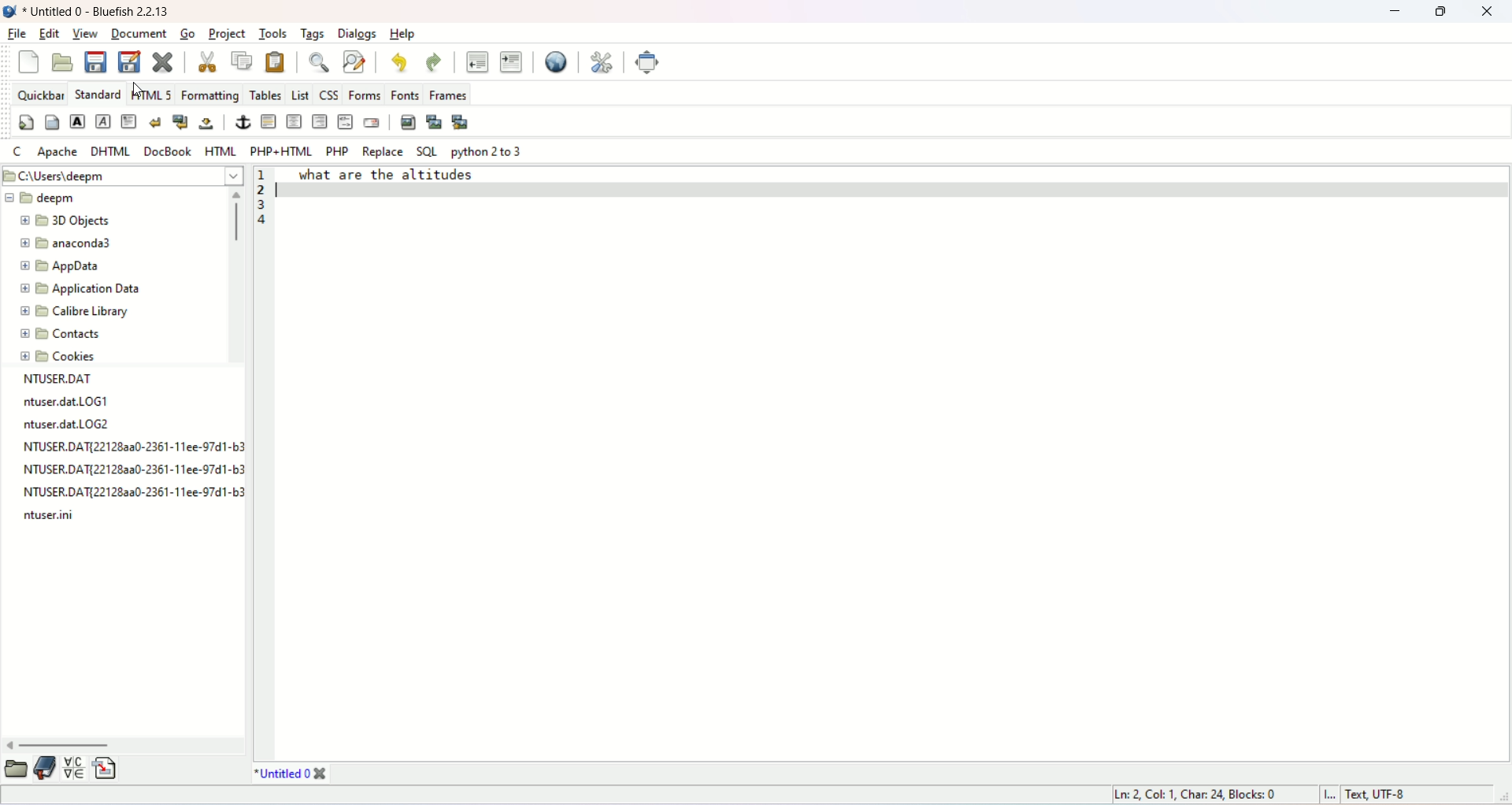 This screenshot has height=805, width=1512. I want to click on emphasize, so click(105, 121).